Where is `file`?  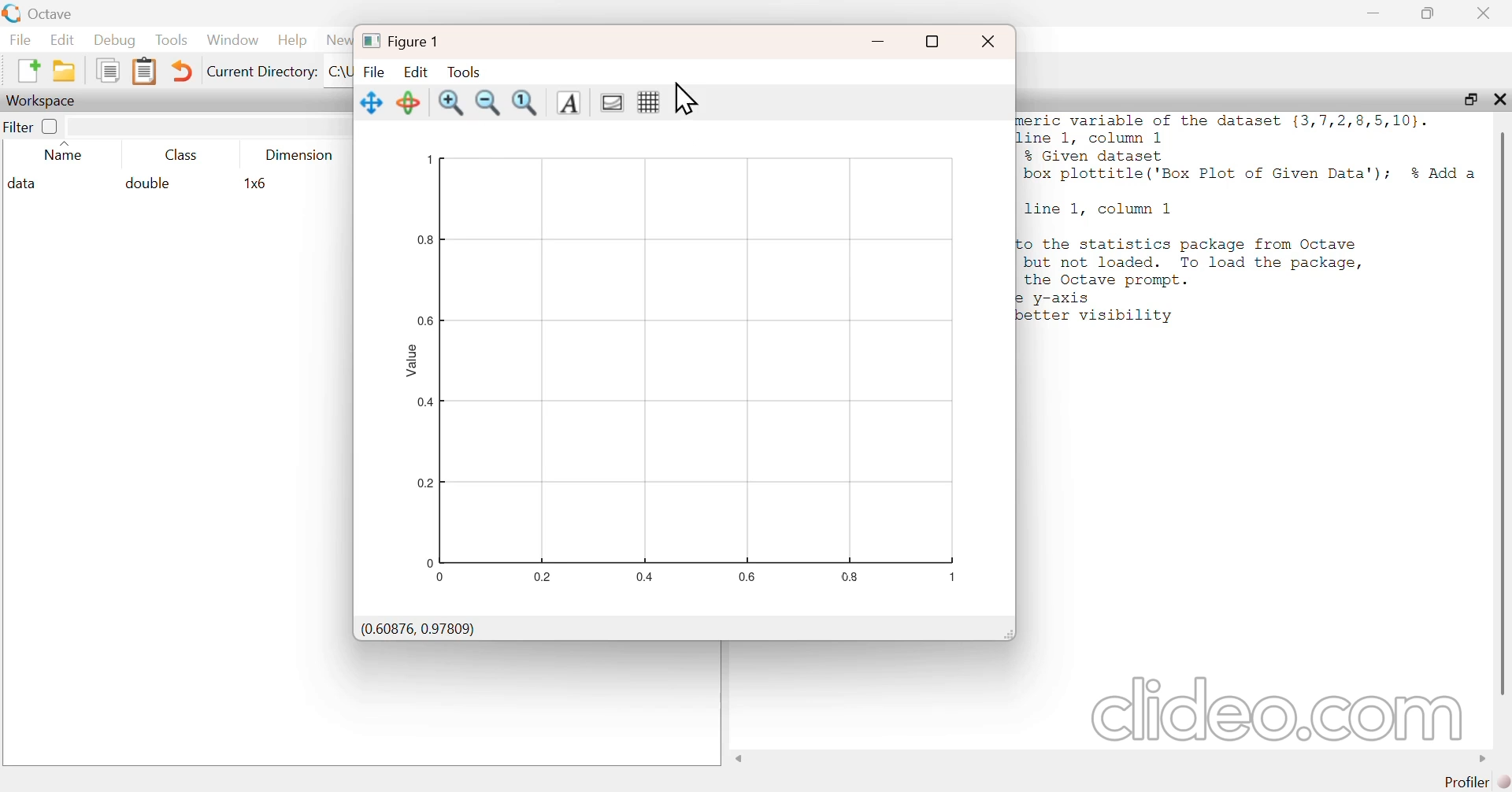
file is located at coordinates (19, 39).